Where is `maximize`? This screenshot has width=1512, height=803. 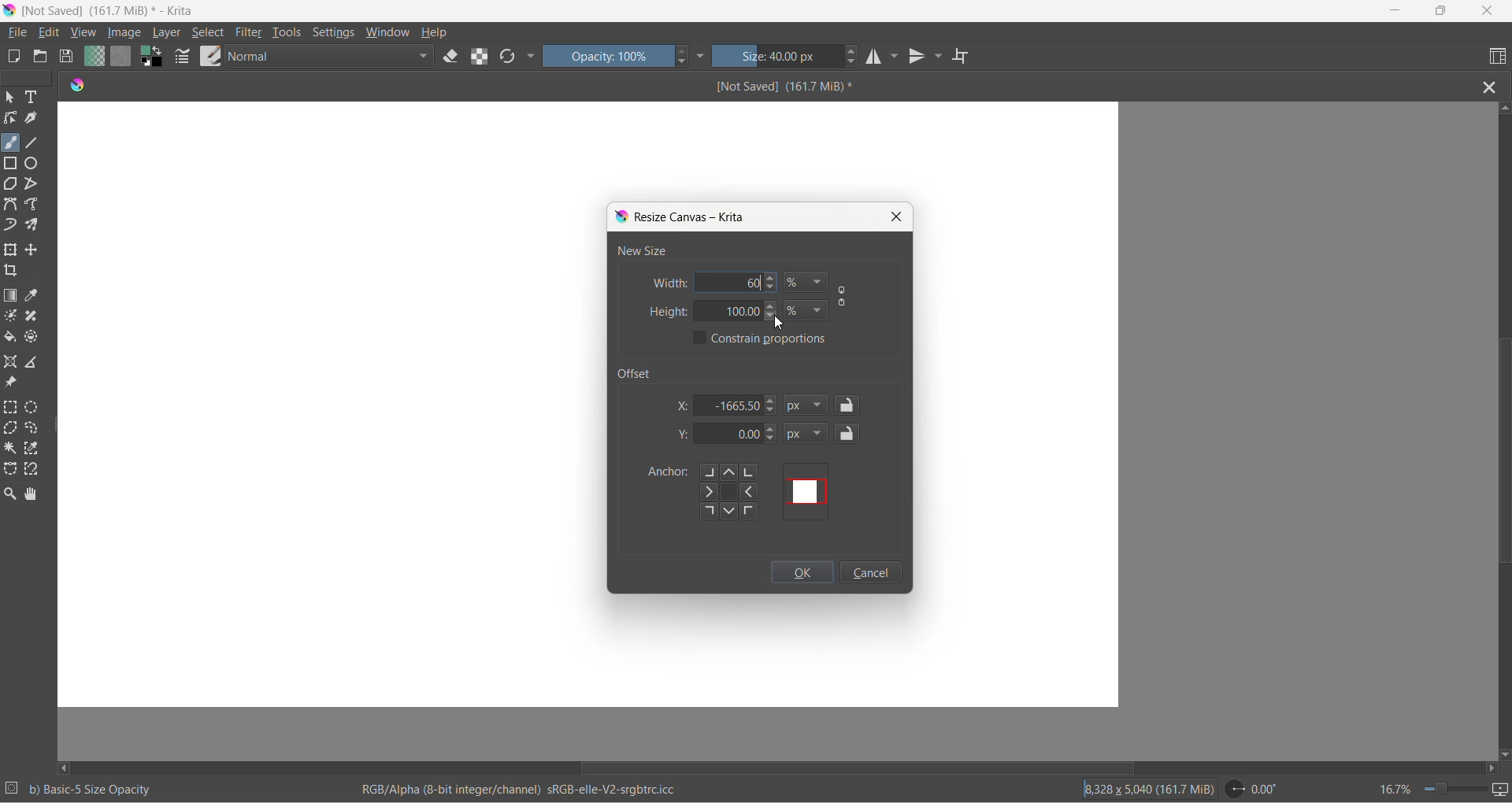
maximize is located at coordinates (1440, 11).